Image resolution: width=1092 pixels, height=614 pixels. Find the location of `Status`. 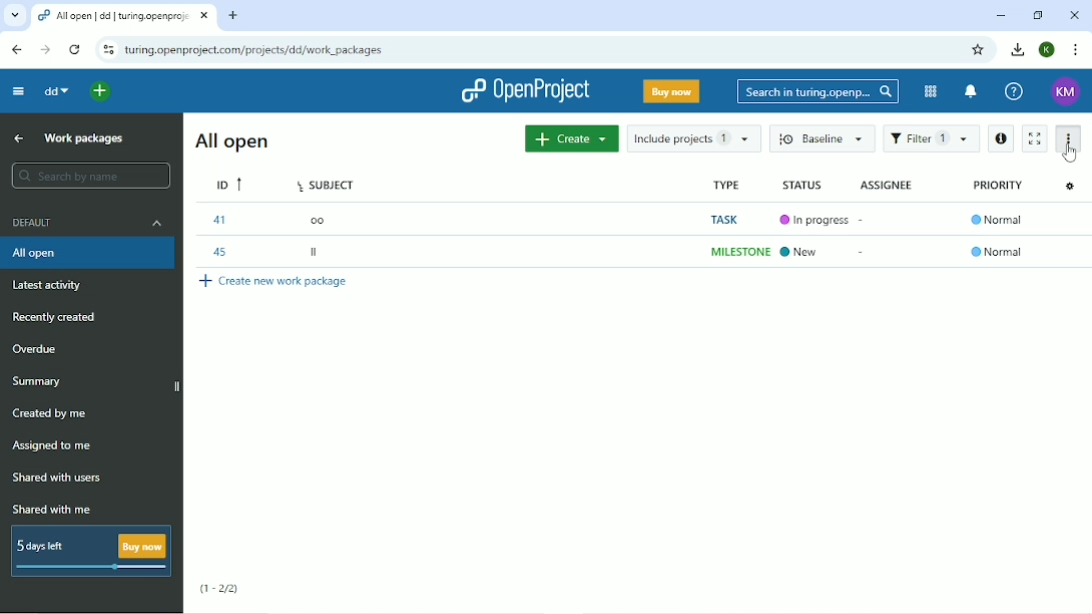

Status is located at coordinates (814, 220).